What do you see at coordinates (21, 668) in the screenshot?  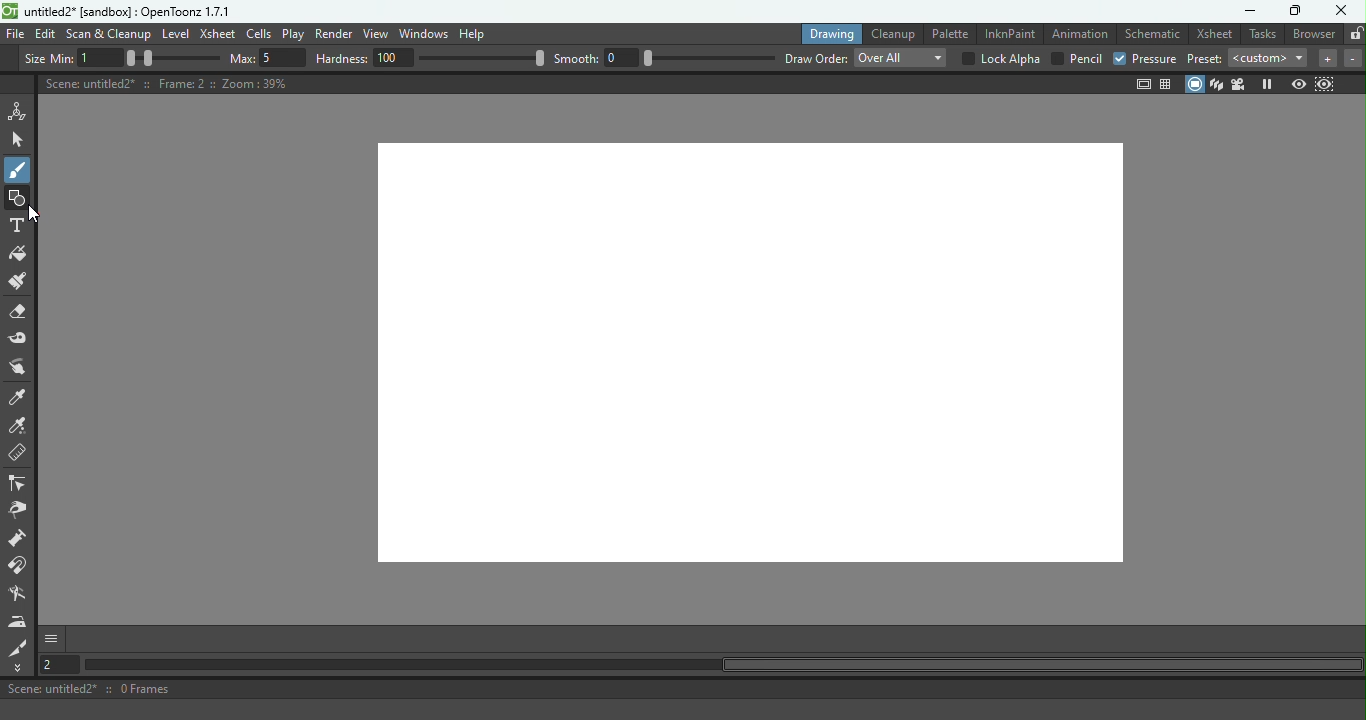 I see `More tools` at bounding box center [21, 668].